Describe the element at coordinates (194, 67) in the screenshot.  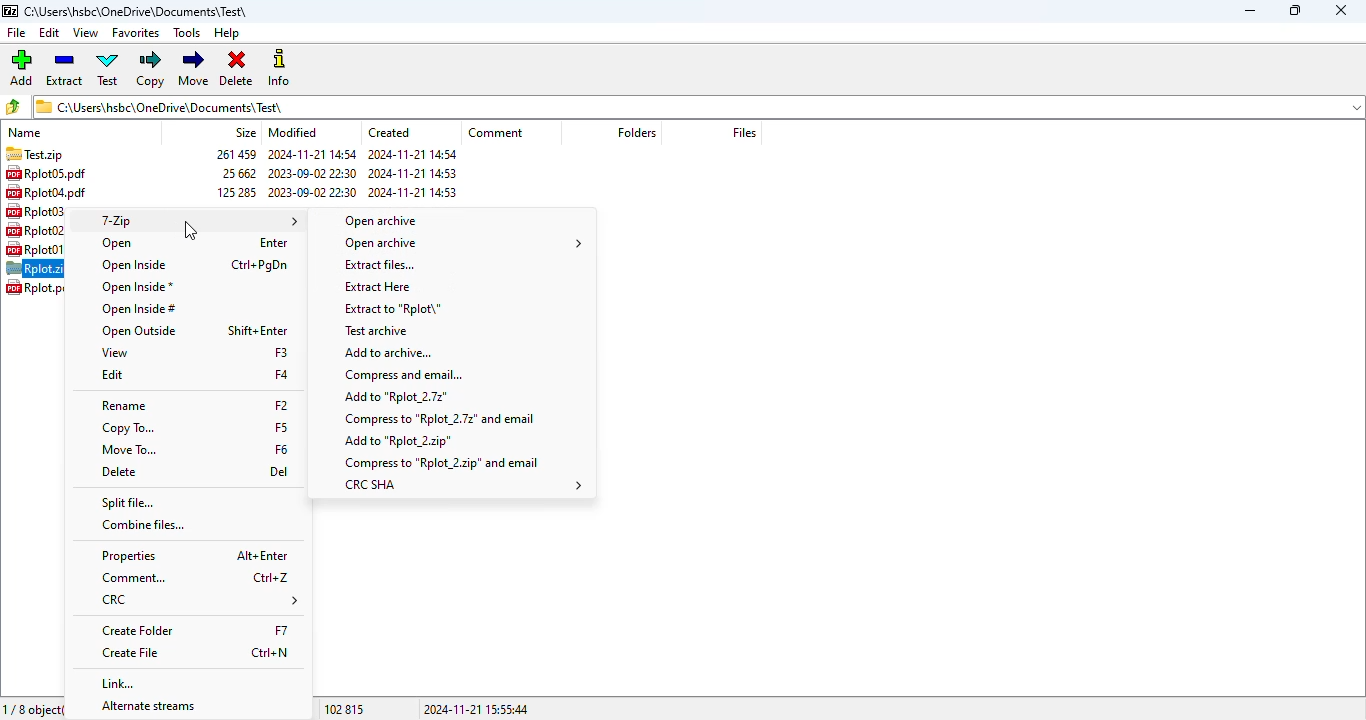
I see `move` at that location.